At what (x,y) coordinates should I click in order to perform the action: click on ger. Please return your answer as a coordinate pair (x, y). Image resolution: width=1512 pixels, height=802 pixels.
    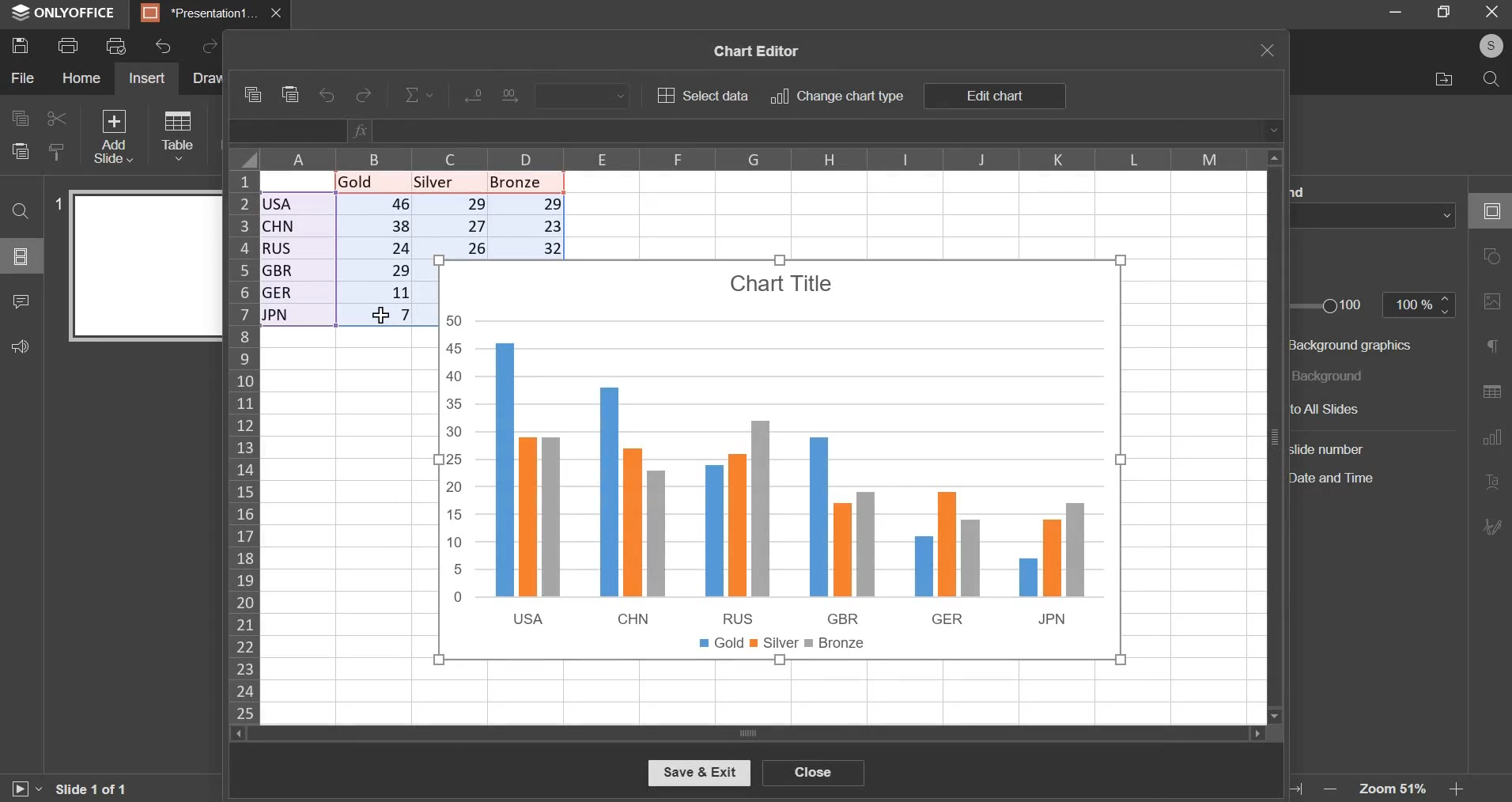
    Looking at the image, I should click on (295, 294).